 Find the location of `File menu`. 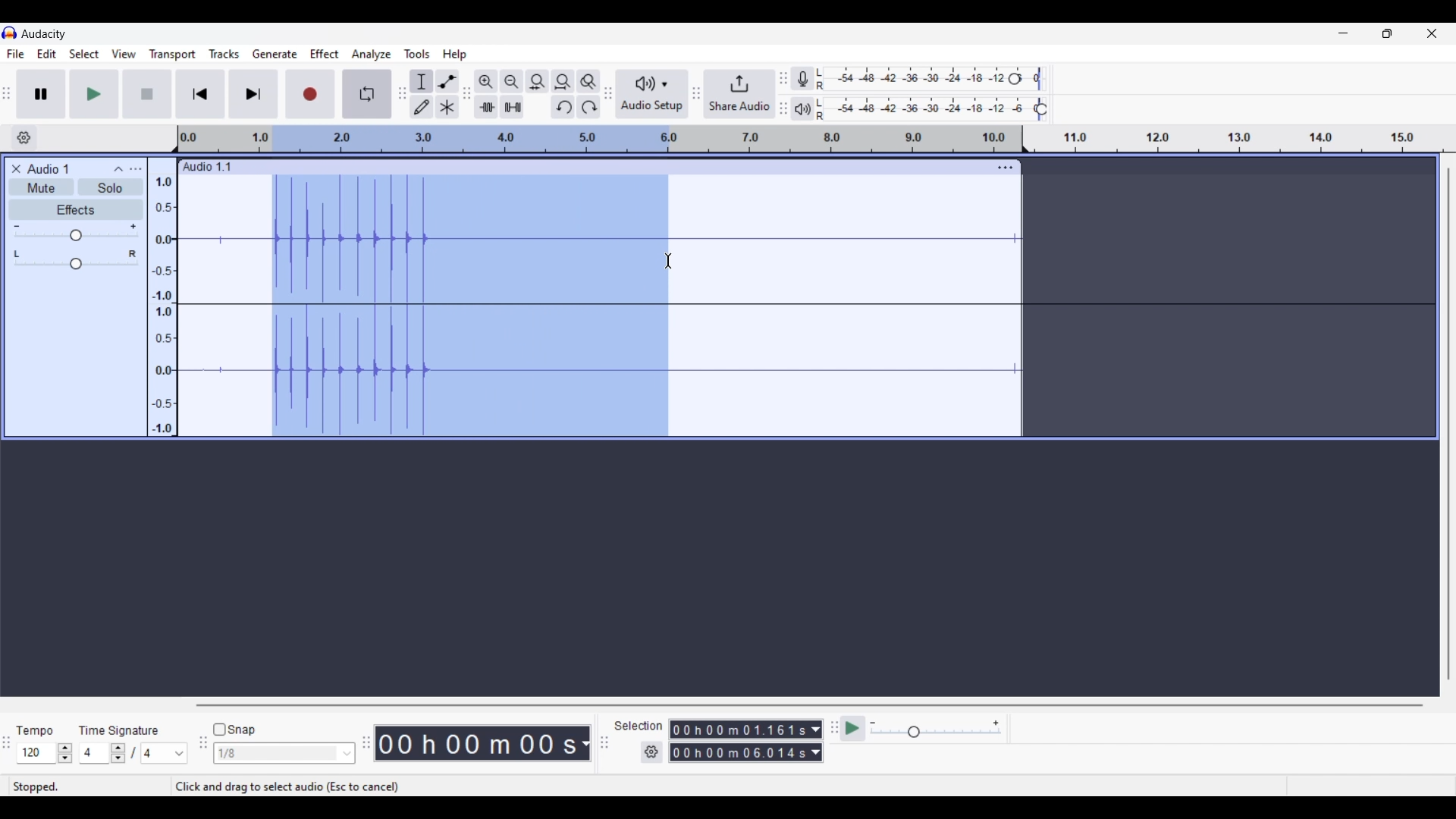

File menu is located at coordinates (16, 54).